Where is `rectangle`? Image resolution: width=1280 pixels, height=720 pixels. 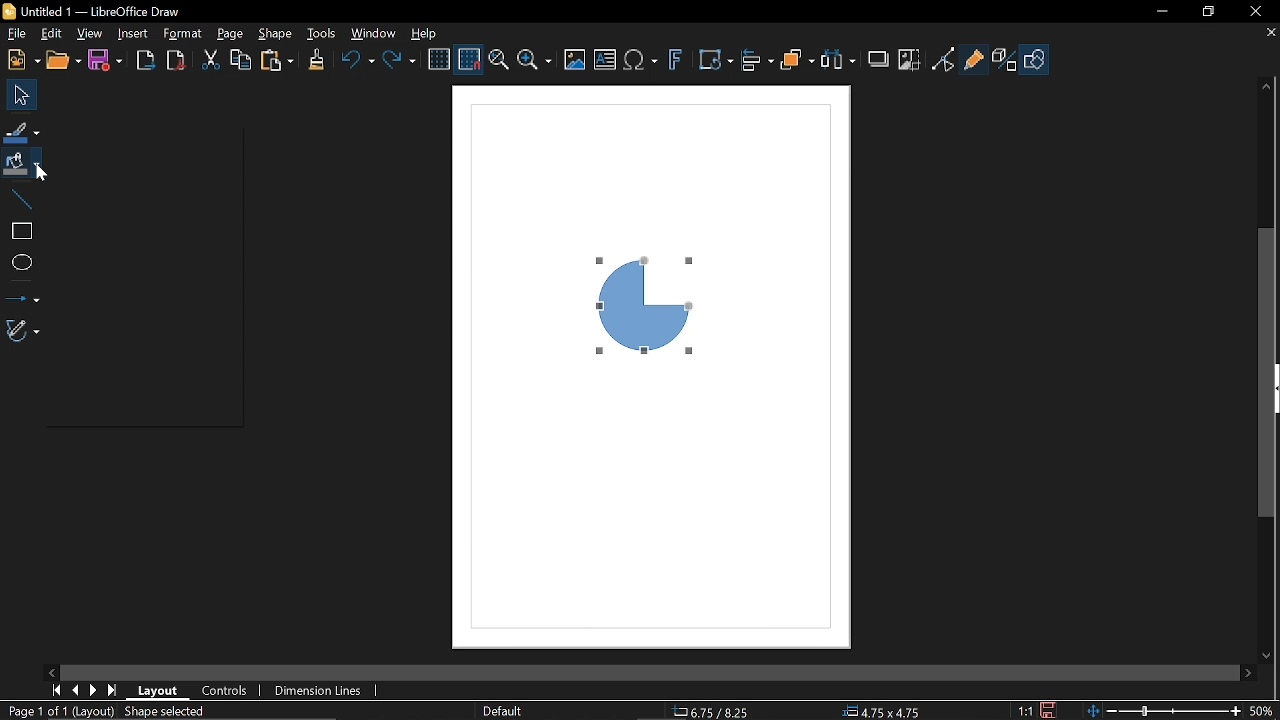 rectangle is located at coordinates (18, 232).